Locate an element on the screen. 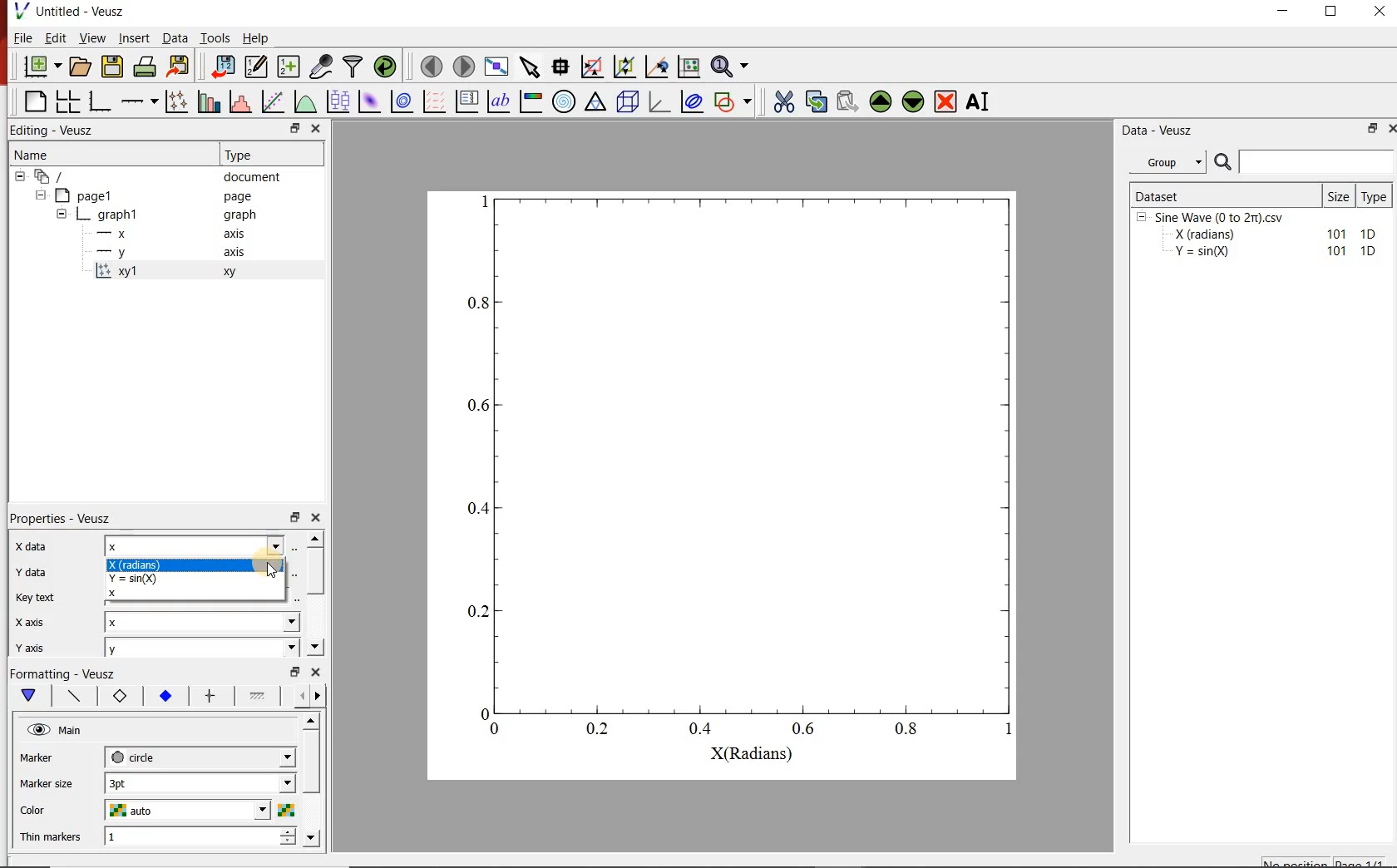 This screenshot has width=1397, height=868. Min/Max is located at coordinates (295, 672).